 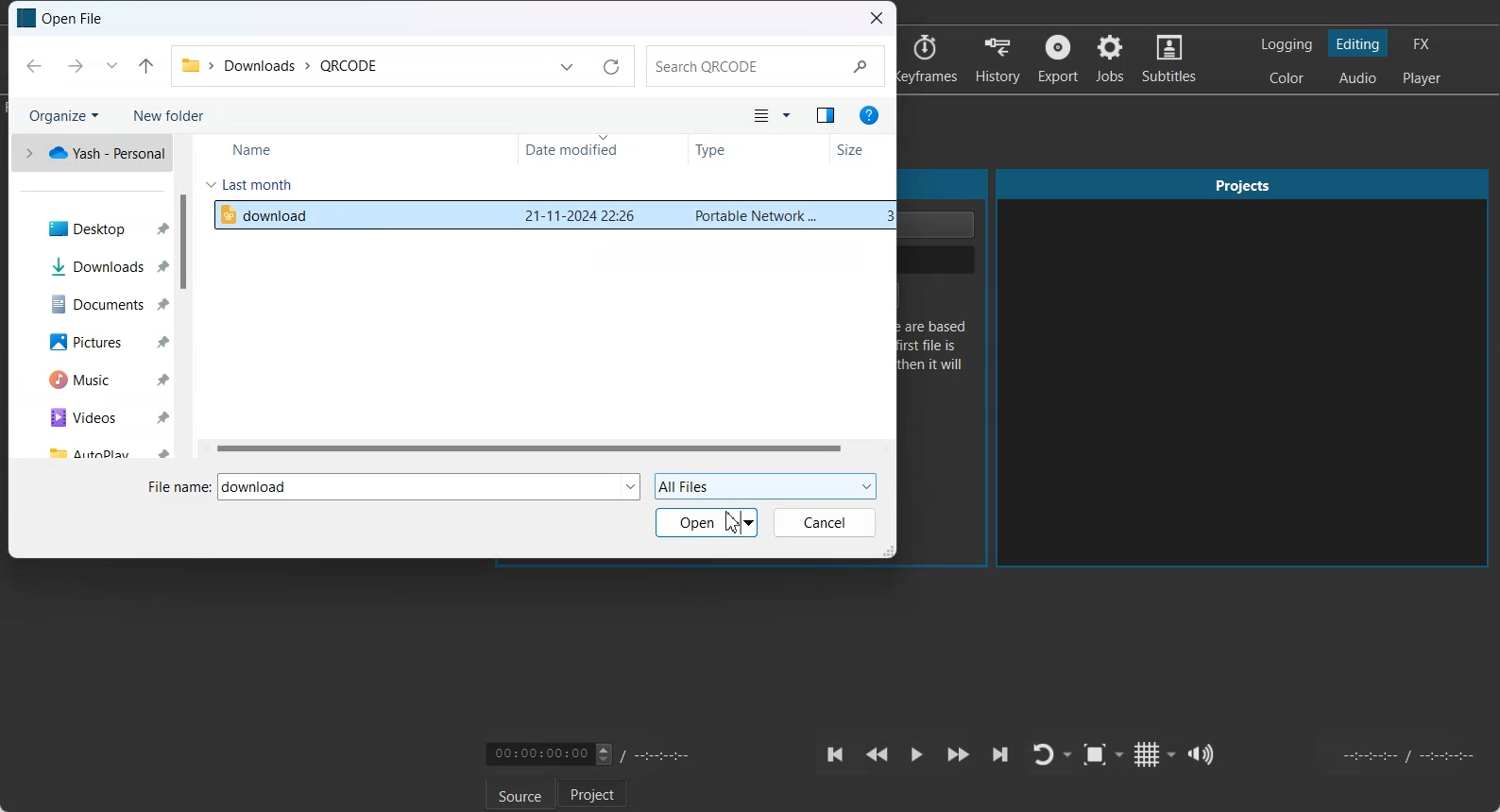 What do you see at coordinates (1000, 59) in the screenshot?
I see `History` at bounding box center [1000, 59].